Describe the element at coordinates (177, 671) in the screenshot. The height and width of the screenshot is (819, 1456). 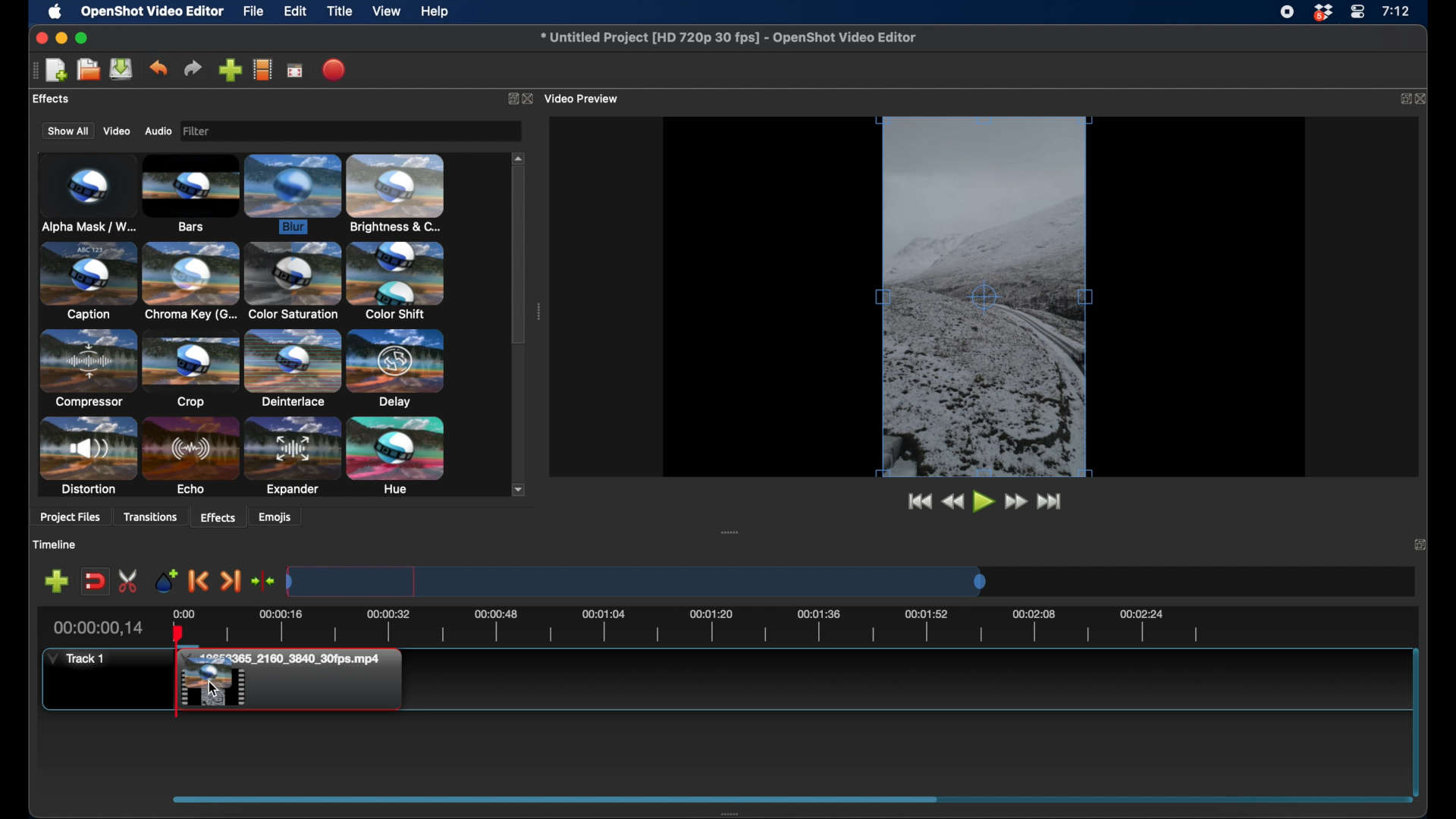
I see `playhead` at that location.